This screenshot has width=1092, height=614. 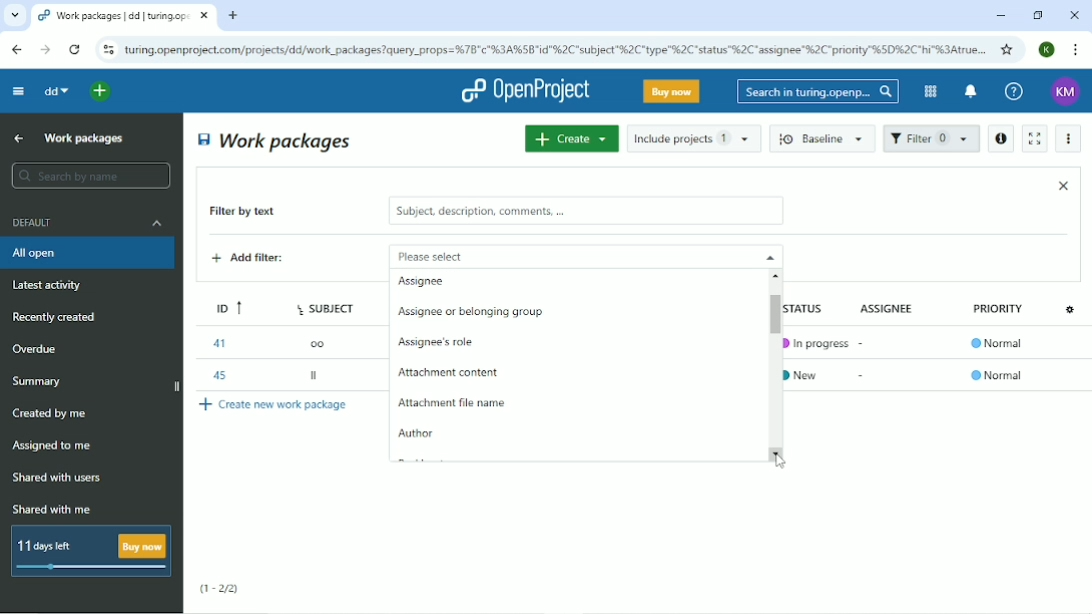 What do you see at coordinates (780, 453) in the screenshot?
I see `scroll down` at bounding box center [780, 453].